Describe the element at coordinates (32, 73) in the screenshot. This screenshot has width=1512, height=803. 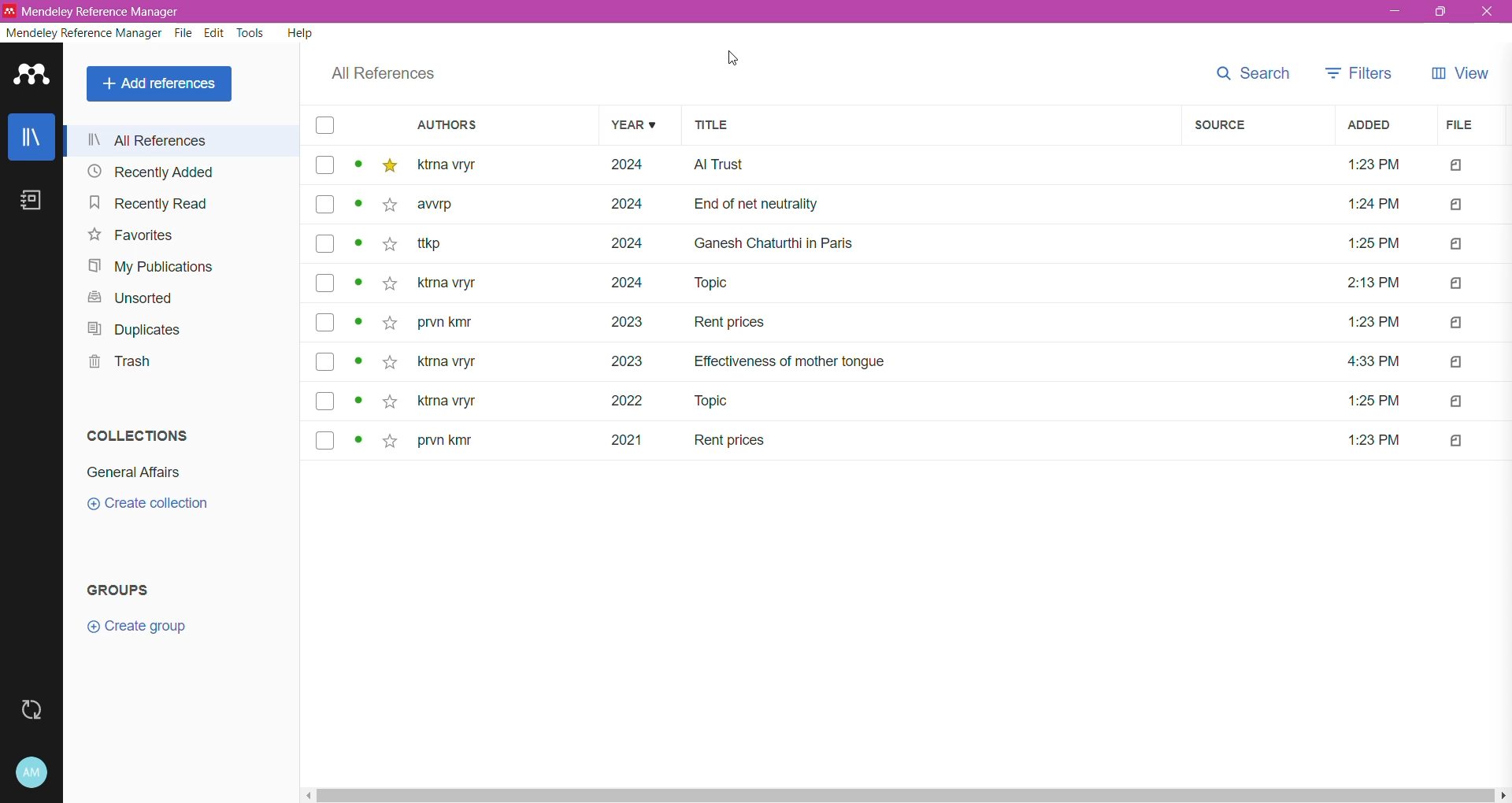
I see `Application Logo` at that location.